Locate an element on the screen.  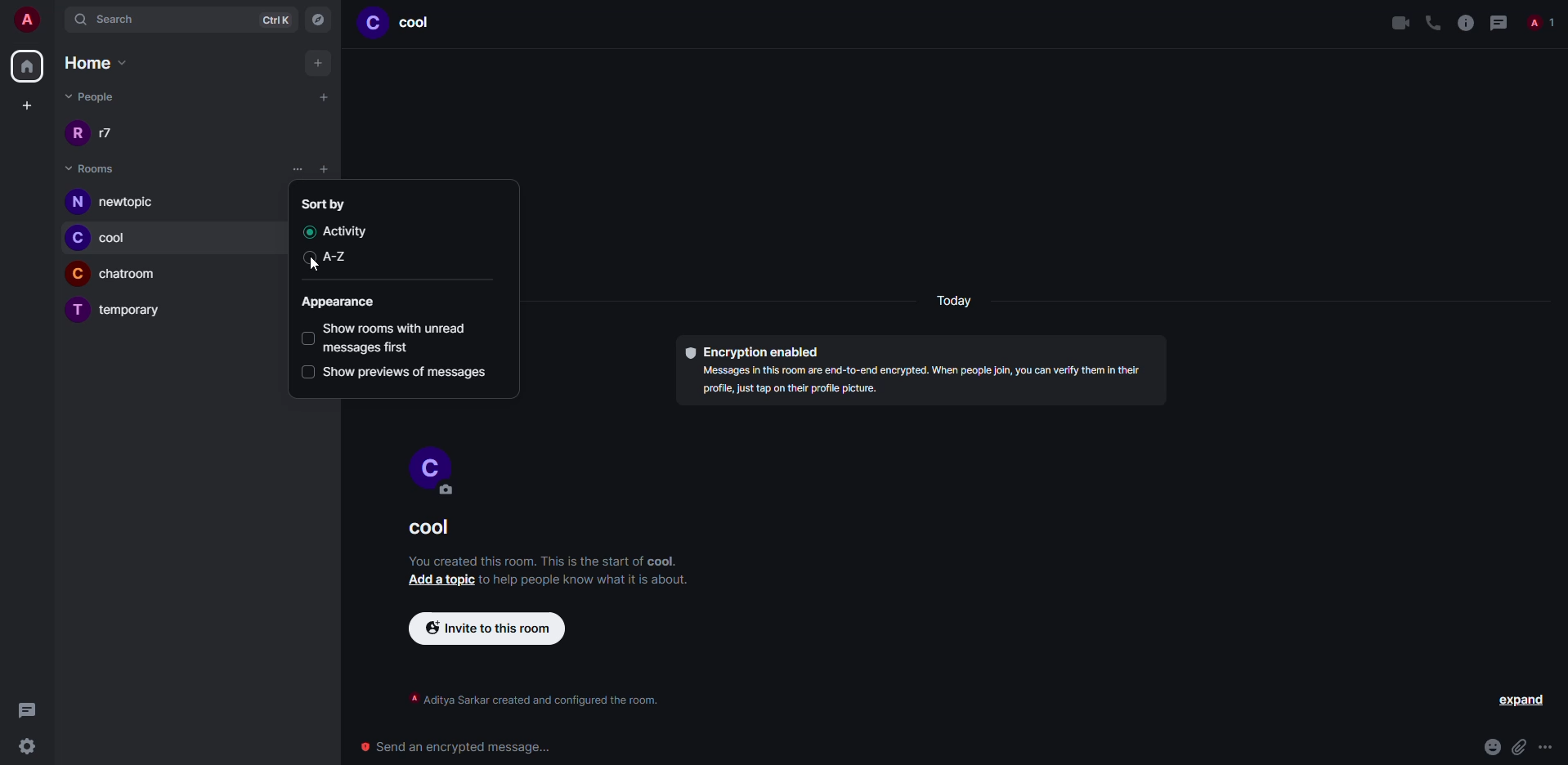
ctrlK is located at coordinates (271, 20).